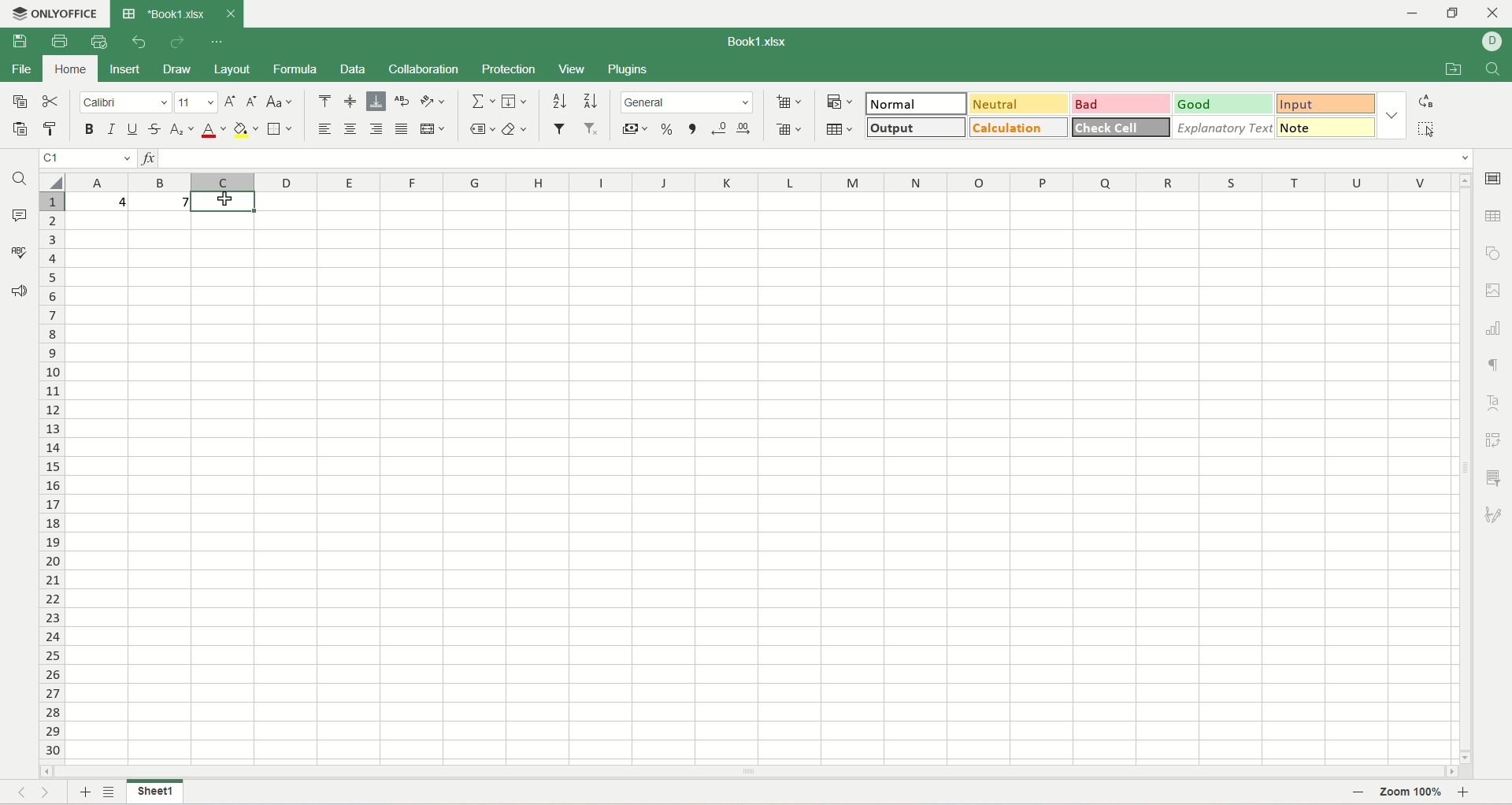 This screenshot has height=805, width=1512. Describe the element at coordinates (19, 100) in the screenshot. I see `copy` at that location.